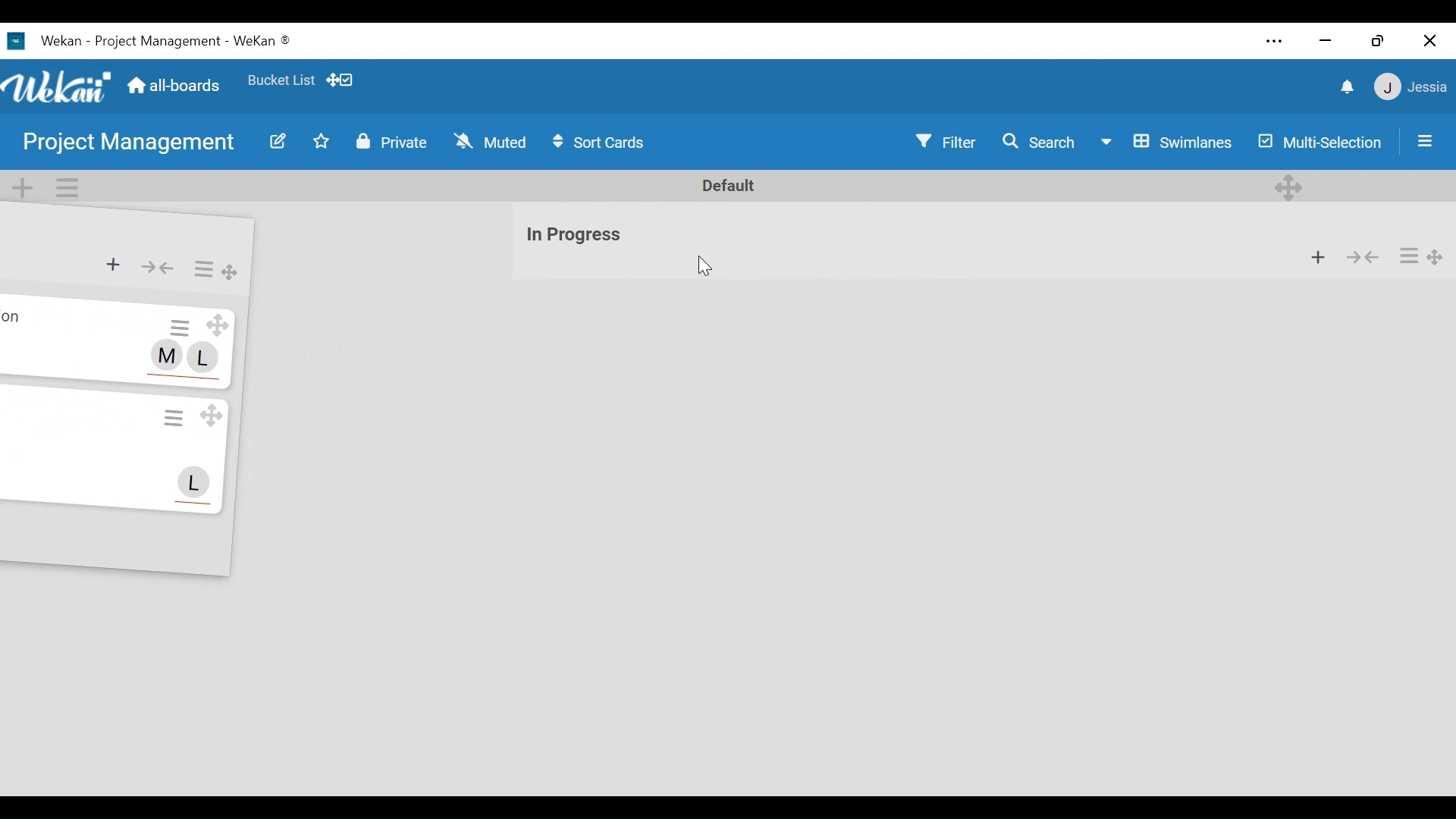 The image size is (1456, 819). I want to click on member settings, so click(1410, 86).